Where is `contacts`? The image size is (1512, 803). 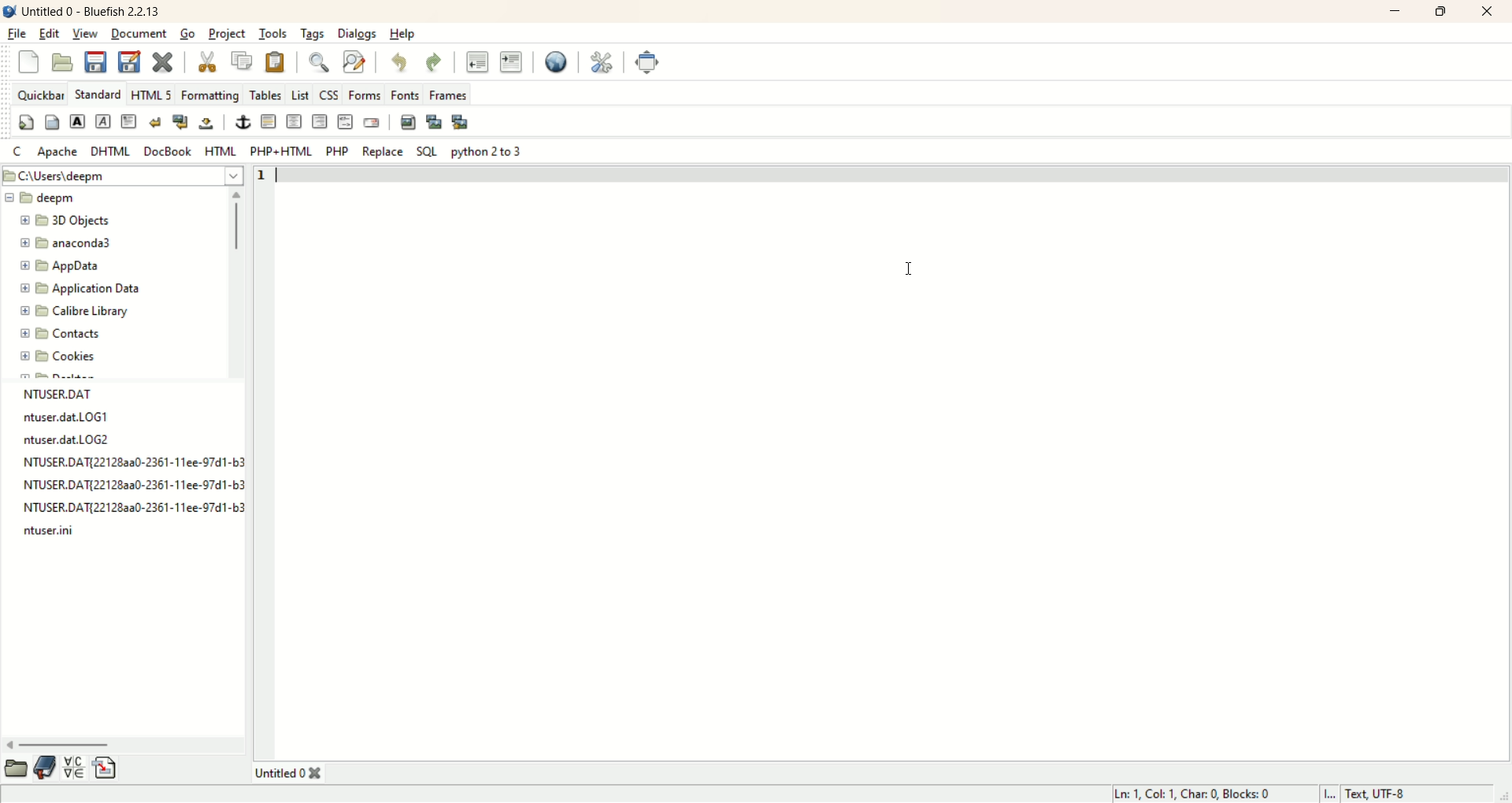 contacts is located at coordinates (74, 335).